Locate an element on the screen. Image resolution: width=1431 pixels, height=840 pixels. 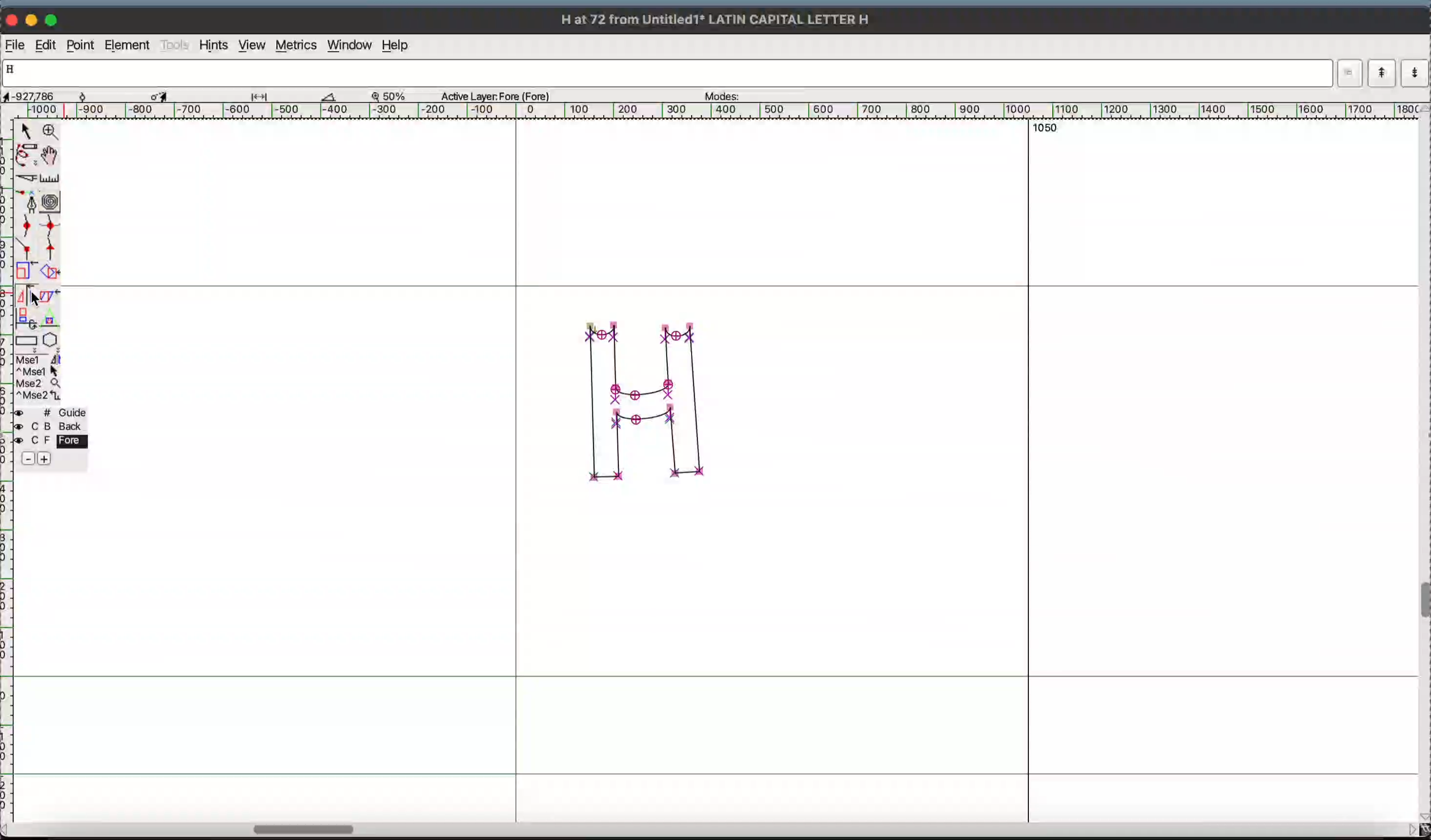
scale is located at coordinates (26, 271).